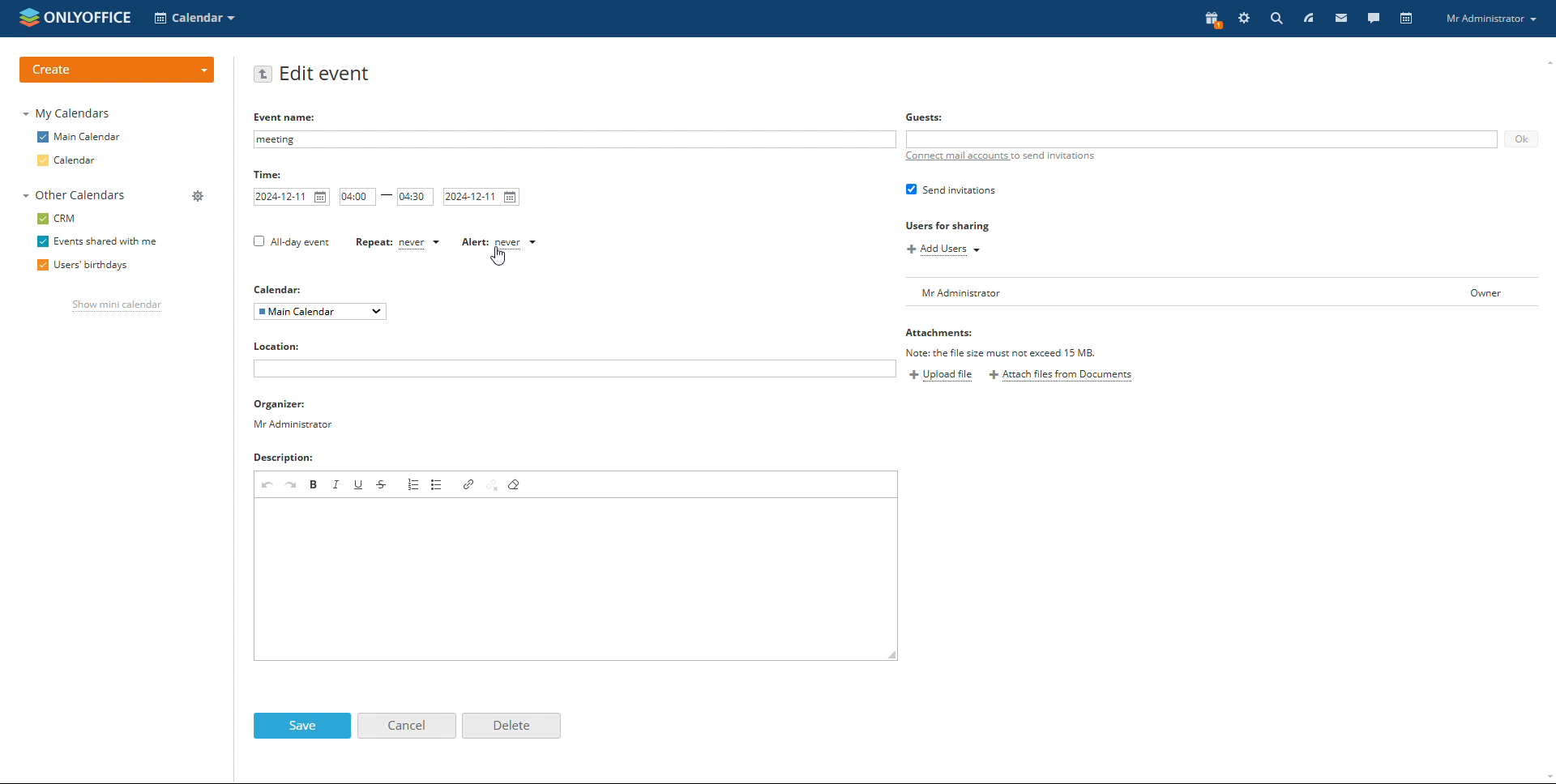 The image size is (1556, 784). Describe the element at coordinates (1494, 19) in the screenshot. I see `profile` at that location.